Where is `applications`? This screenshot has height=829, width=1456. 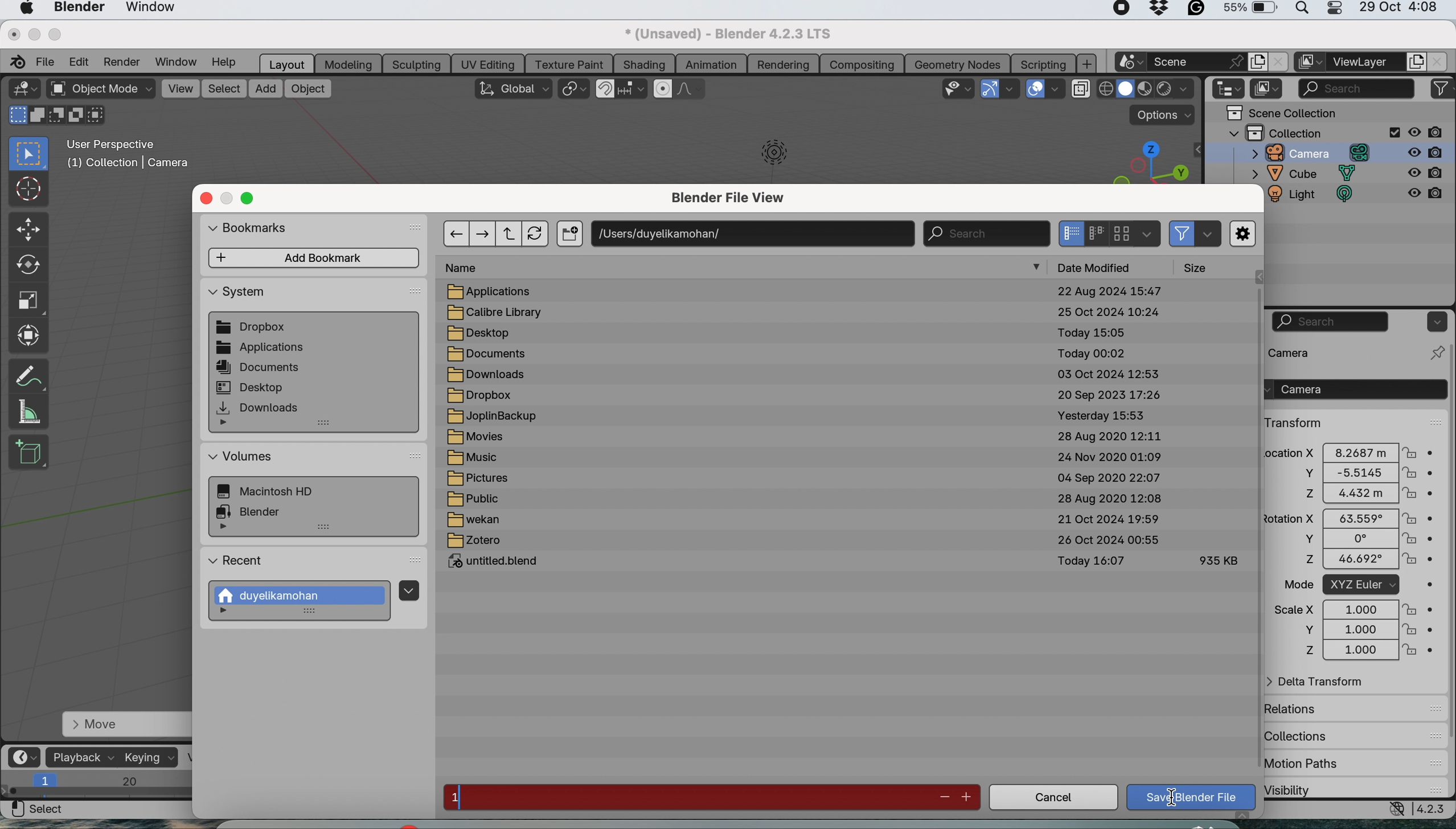 applications is located at coordinates (498, 291).